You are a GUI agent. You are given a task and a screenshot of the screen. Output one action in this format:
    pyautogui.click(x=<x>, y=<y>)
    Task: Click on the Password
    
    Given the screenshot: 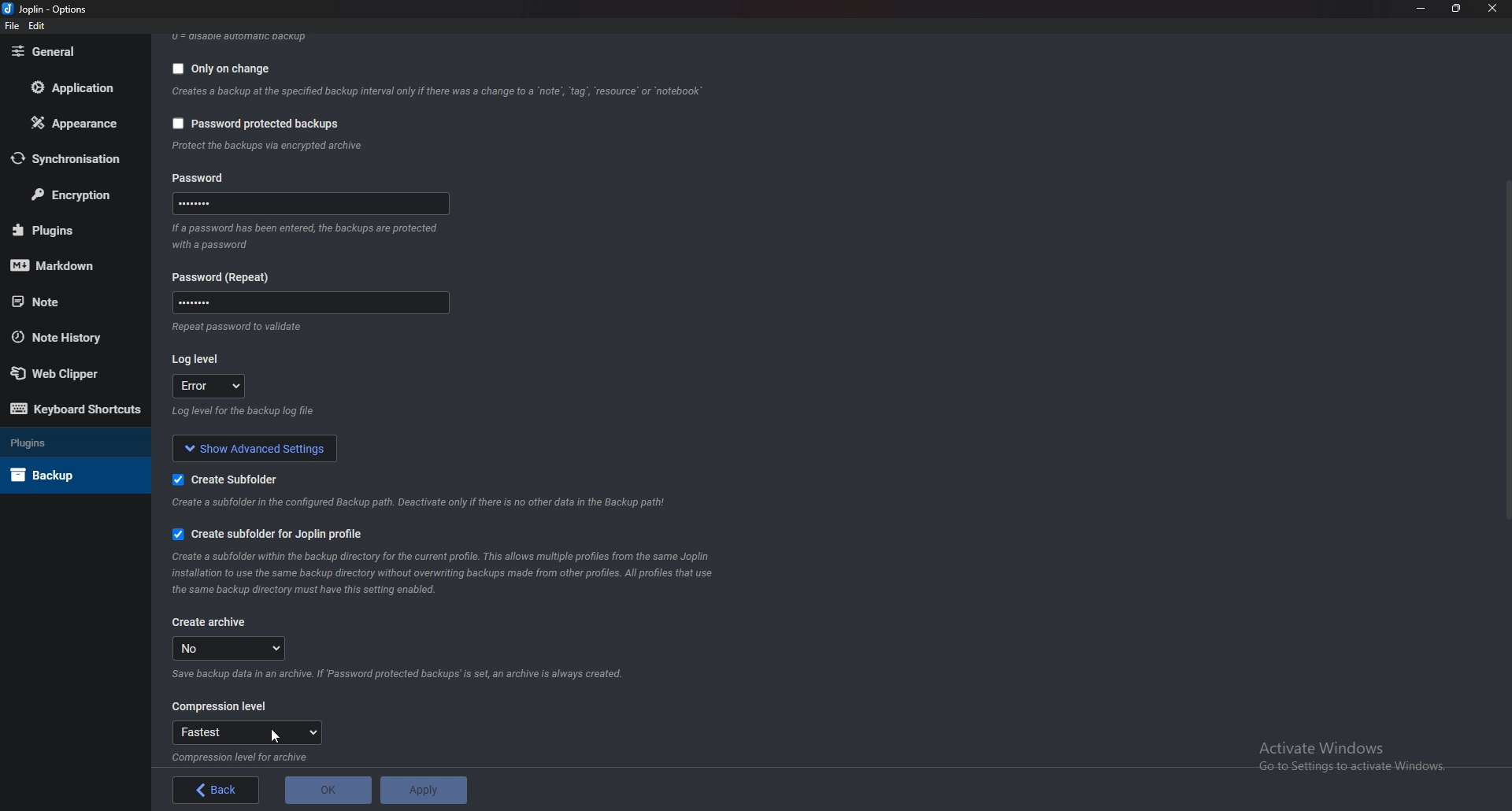 What is the action you would take?
    pyautogui.click(x=224, y=277)
    